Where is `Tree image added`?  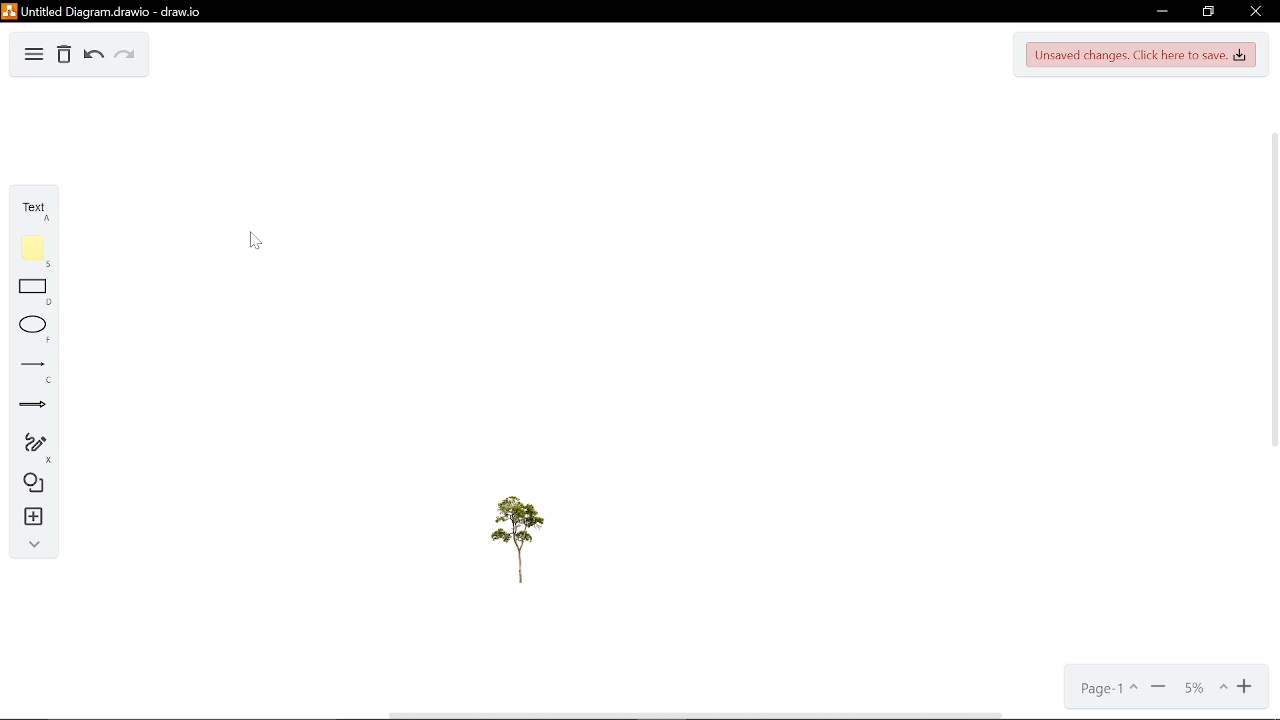 Tree image added is located at coordinates (524, 548).